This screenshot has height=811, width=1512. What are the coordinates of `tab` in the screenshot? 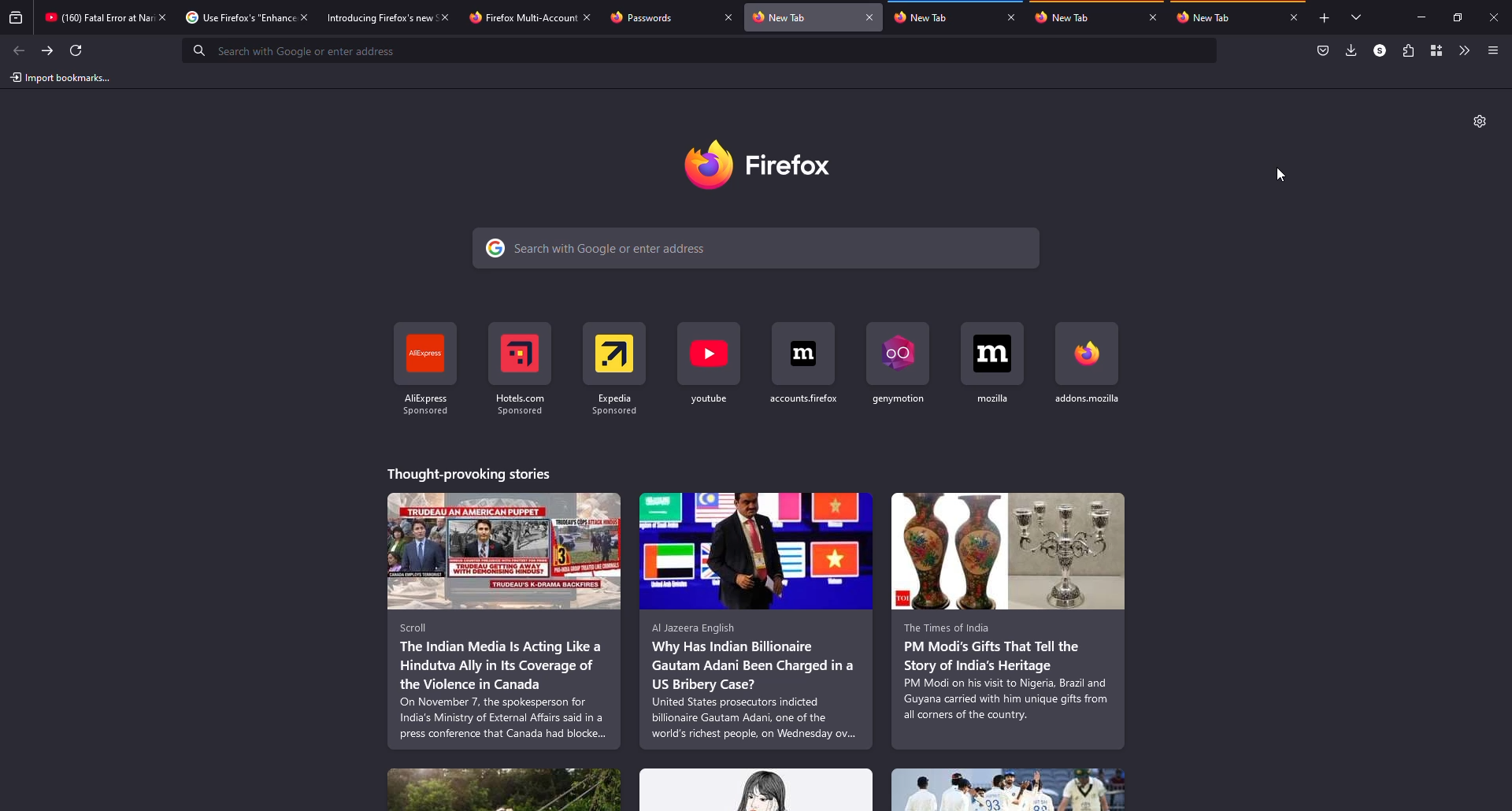 It's located at (1222, 19).